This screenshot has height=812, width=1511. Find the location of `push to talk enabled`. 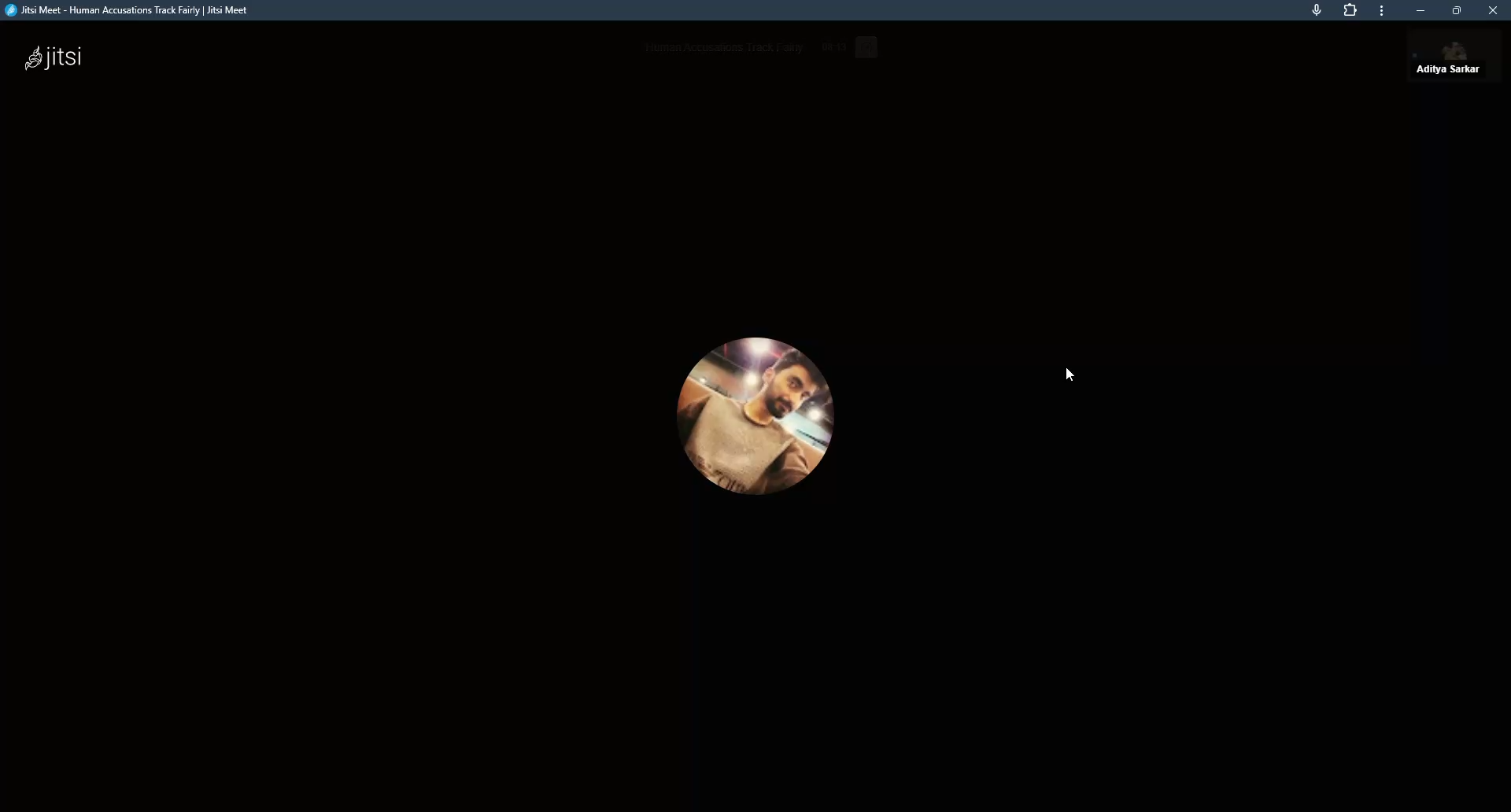

push to talk enabled is located at coordinates (1455, 61).